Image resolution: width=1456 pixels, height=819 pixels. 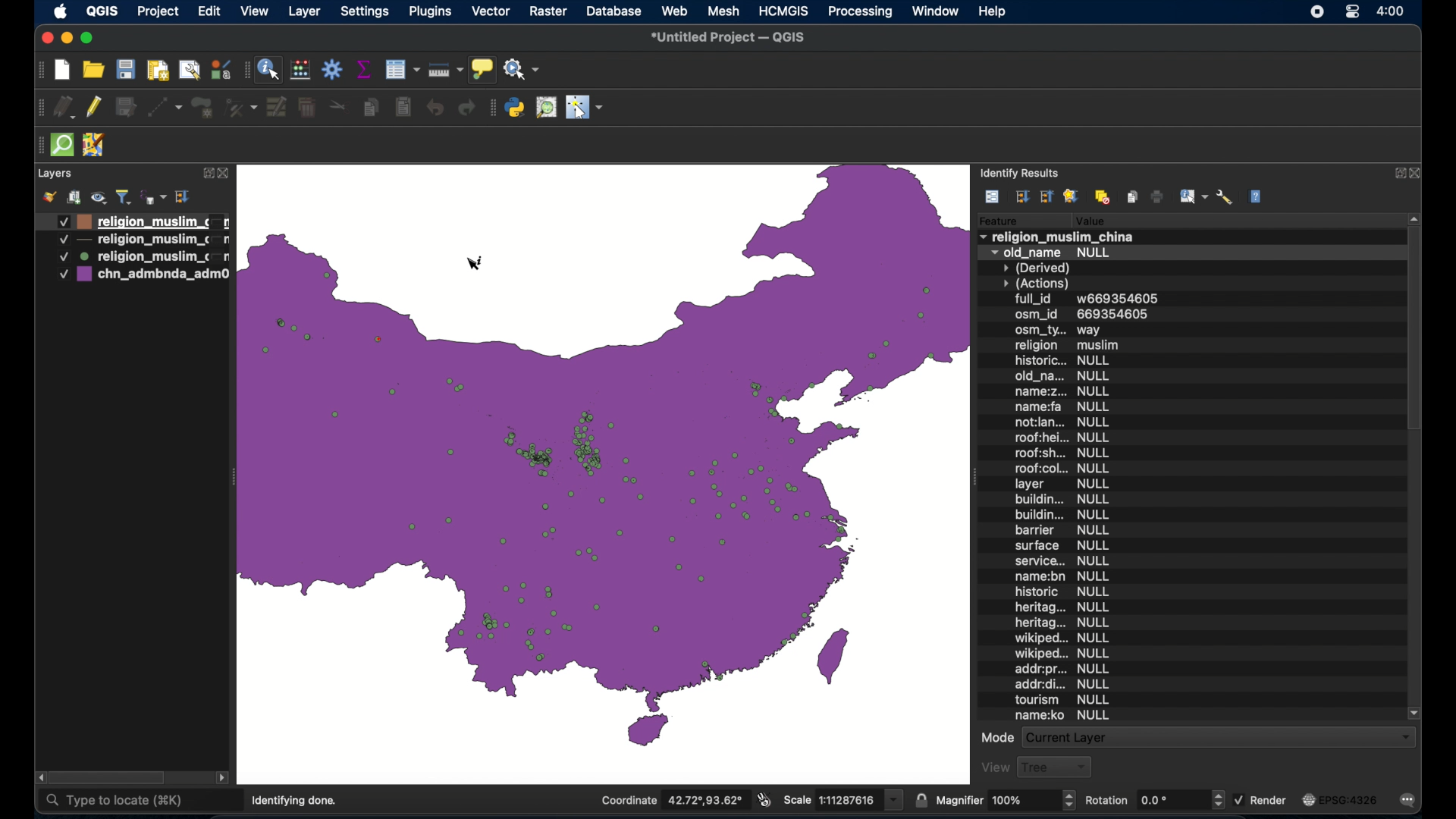 What do you see at coordinates (37, 777) in the screenshot?
I see `scroll left arrow` at bounding box center [37, 777].